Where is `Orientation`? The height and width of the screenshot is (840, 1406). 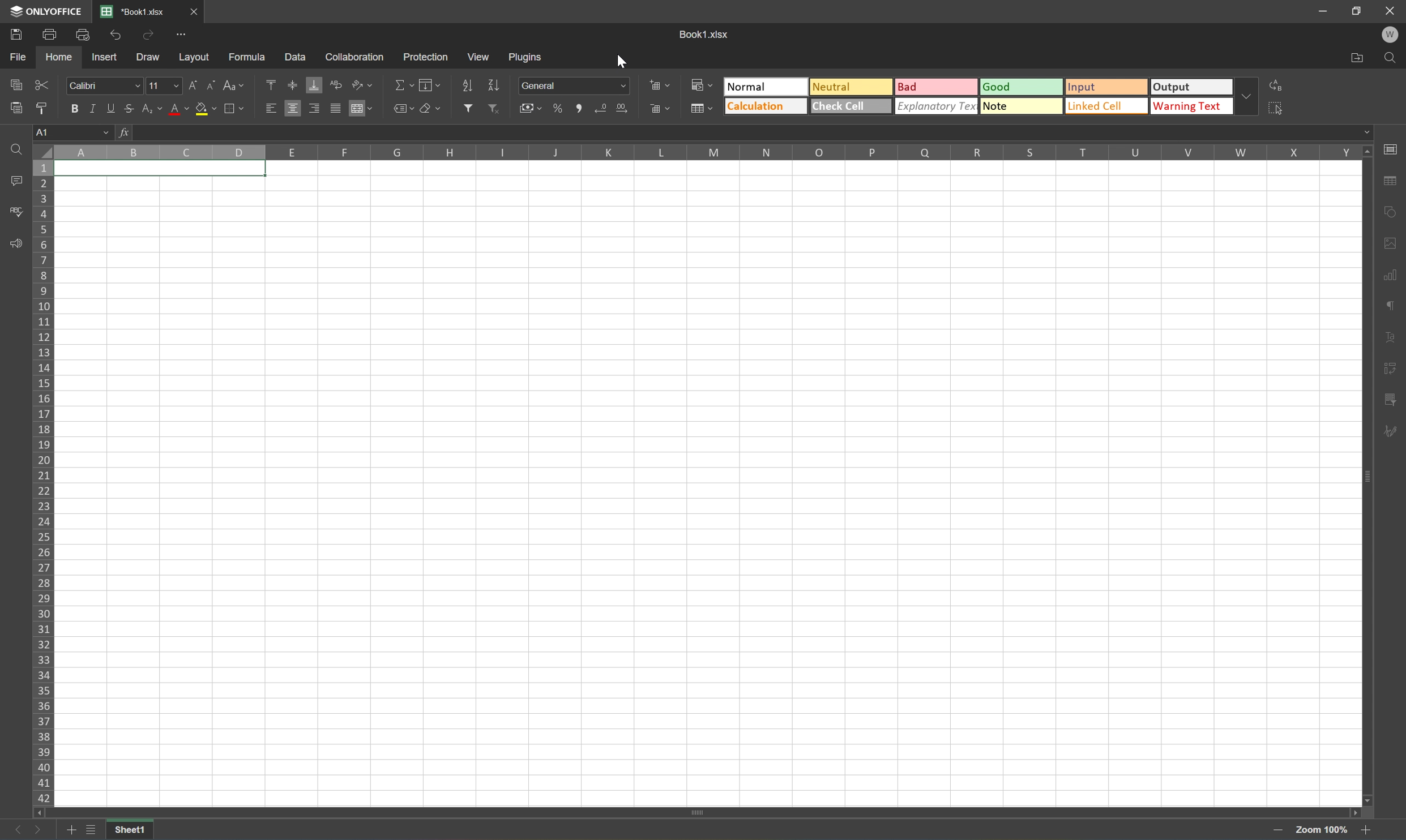
Orientation is located at coordinates (362, 84).